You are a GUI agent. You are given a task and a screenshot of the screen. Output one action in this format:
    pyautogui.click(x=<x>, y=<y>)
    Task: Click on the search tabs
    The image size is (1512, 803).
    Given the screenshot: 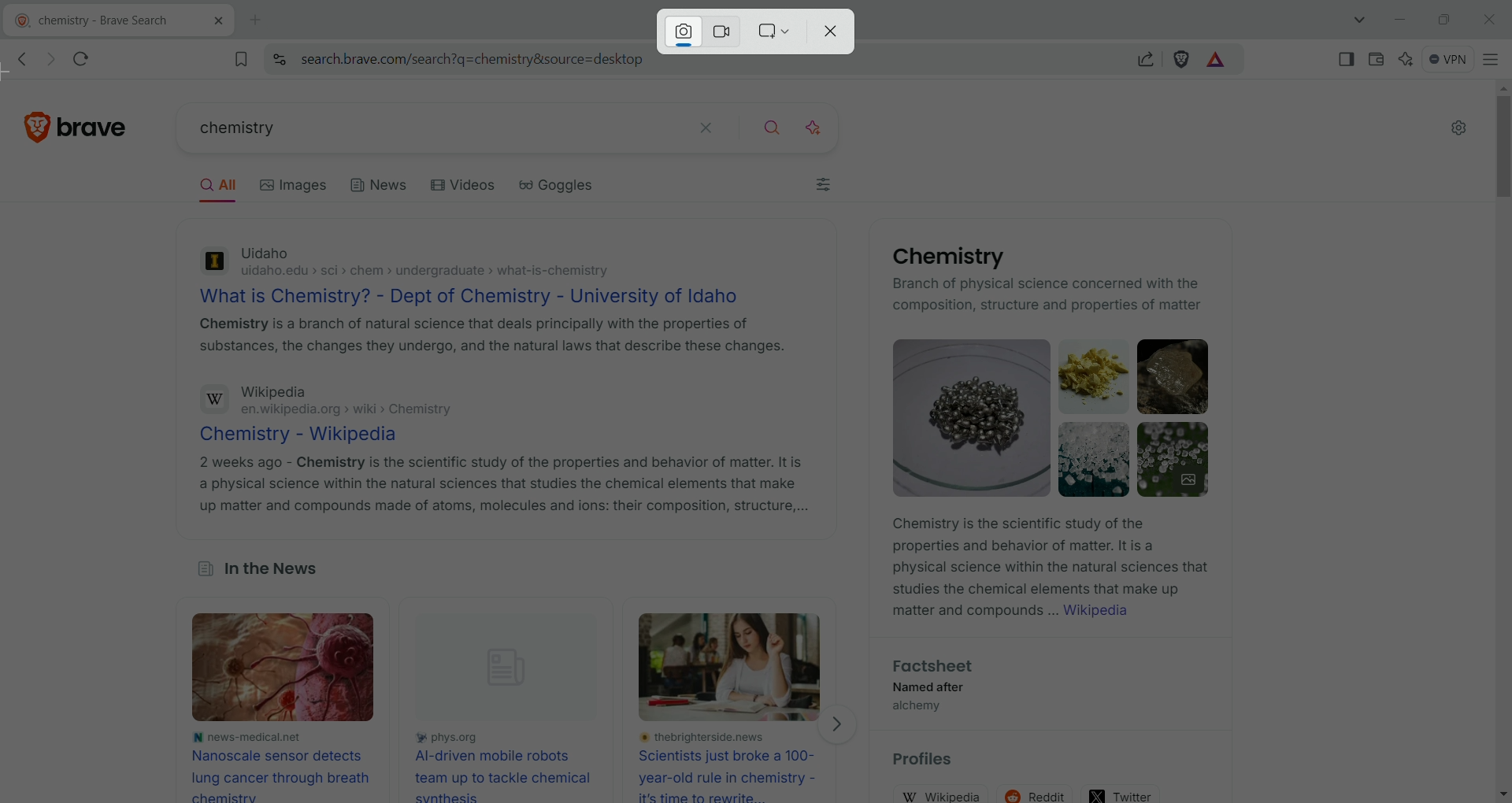 What is the action you would take?
    pyautogui.click(x=1362, y=20)
    